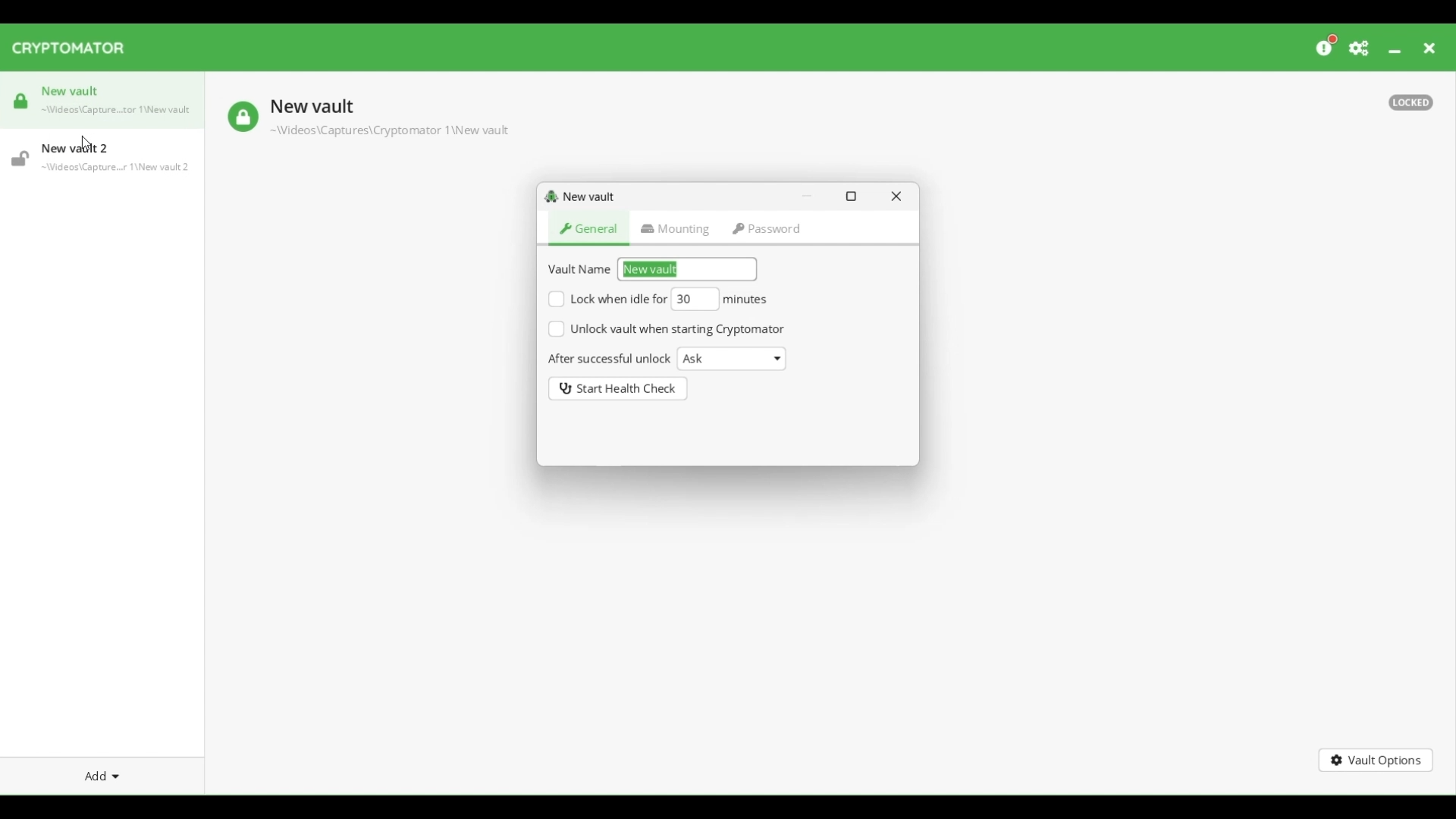 This screenshot has width=1456, height=819. What do you see at coordinates (87, 143) in the screenshot?
I see `Cursor` at bounding box center [87, 143].